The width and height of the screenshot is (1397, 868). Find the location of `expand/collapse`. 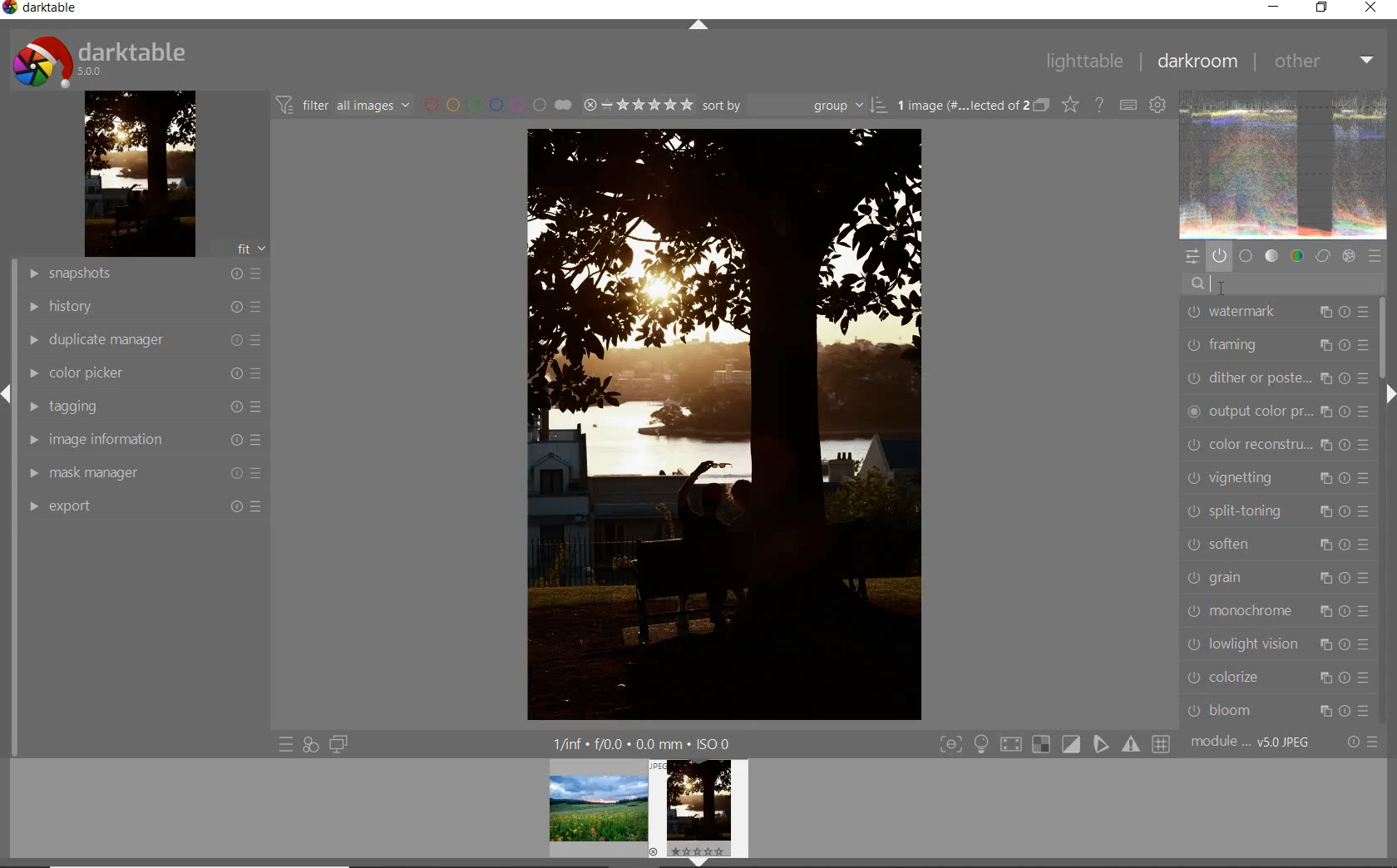

expand/collapse is located at coordinates (700, 28).